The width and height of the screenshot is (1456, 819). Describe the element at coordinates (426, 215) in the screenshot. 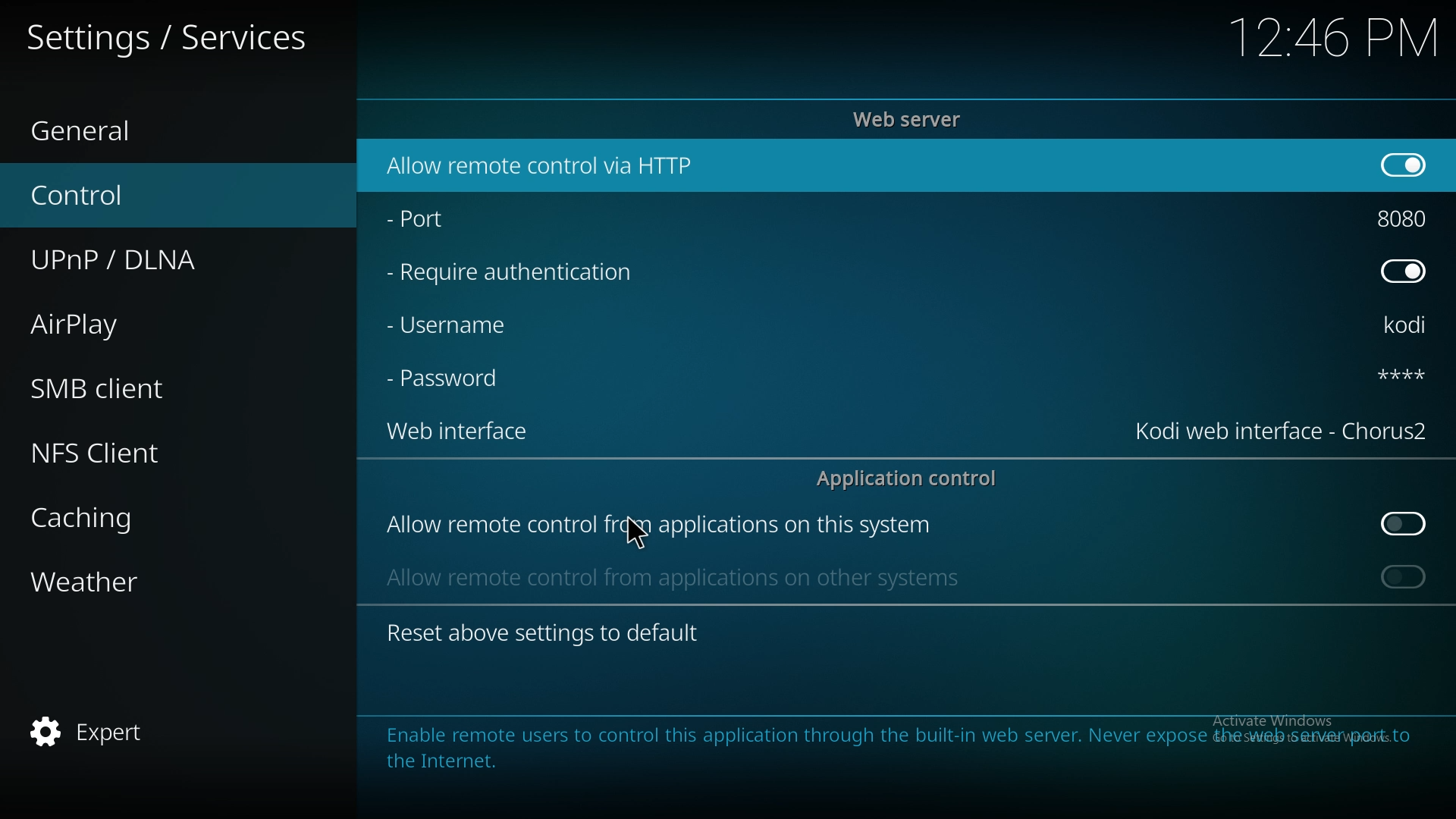

I see `port` at that location.